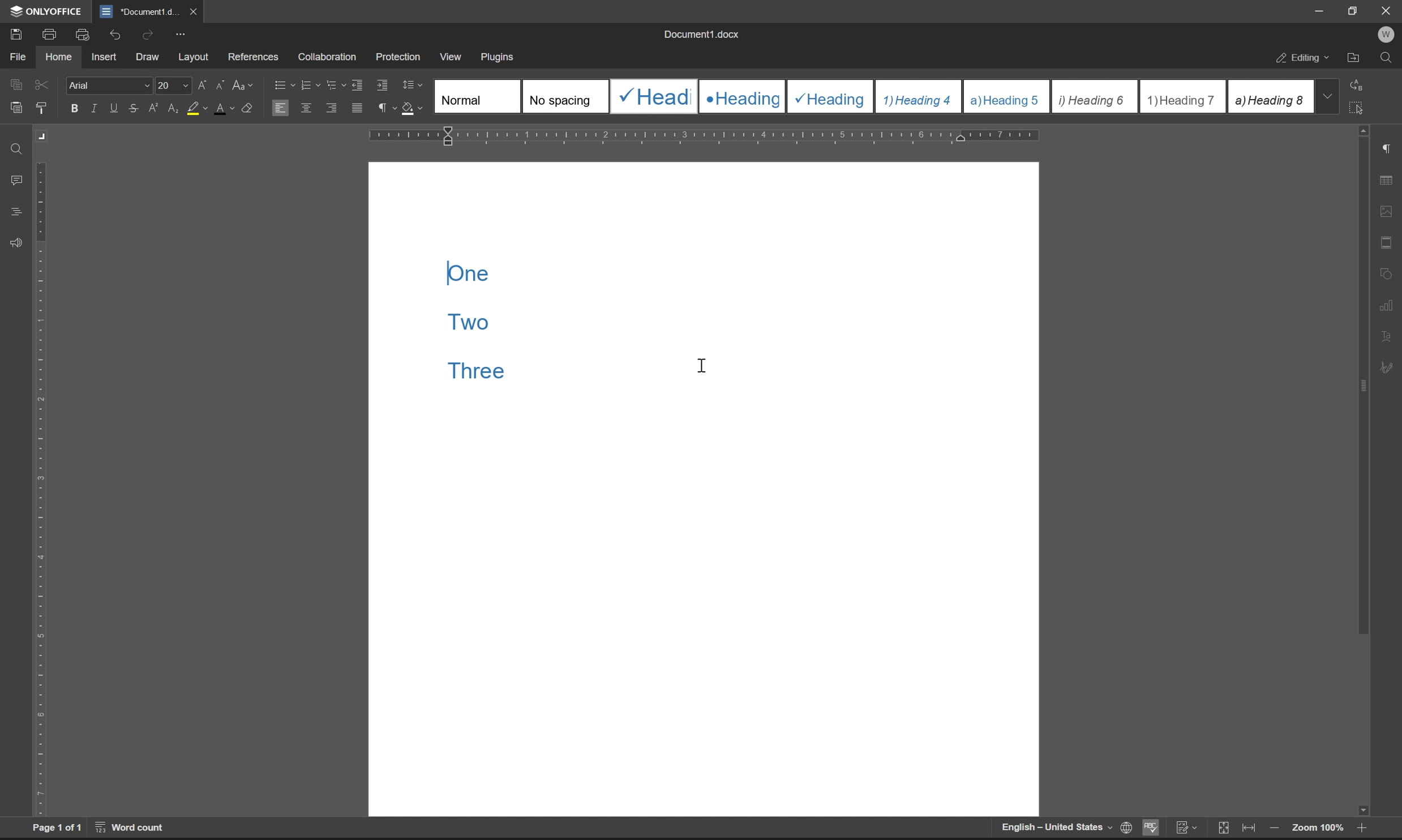 The image size is (1402, 840). Describe the element at coordinates (1386, 181) in the screenshot. I see `table settings` at that location.